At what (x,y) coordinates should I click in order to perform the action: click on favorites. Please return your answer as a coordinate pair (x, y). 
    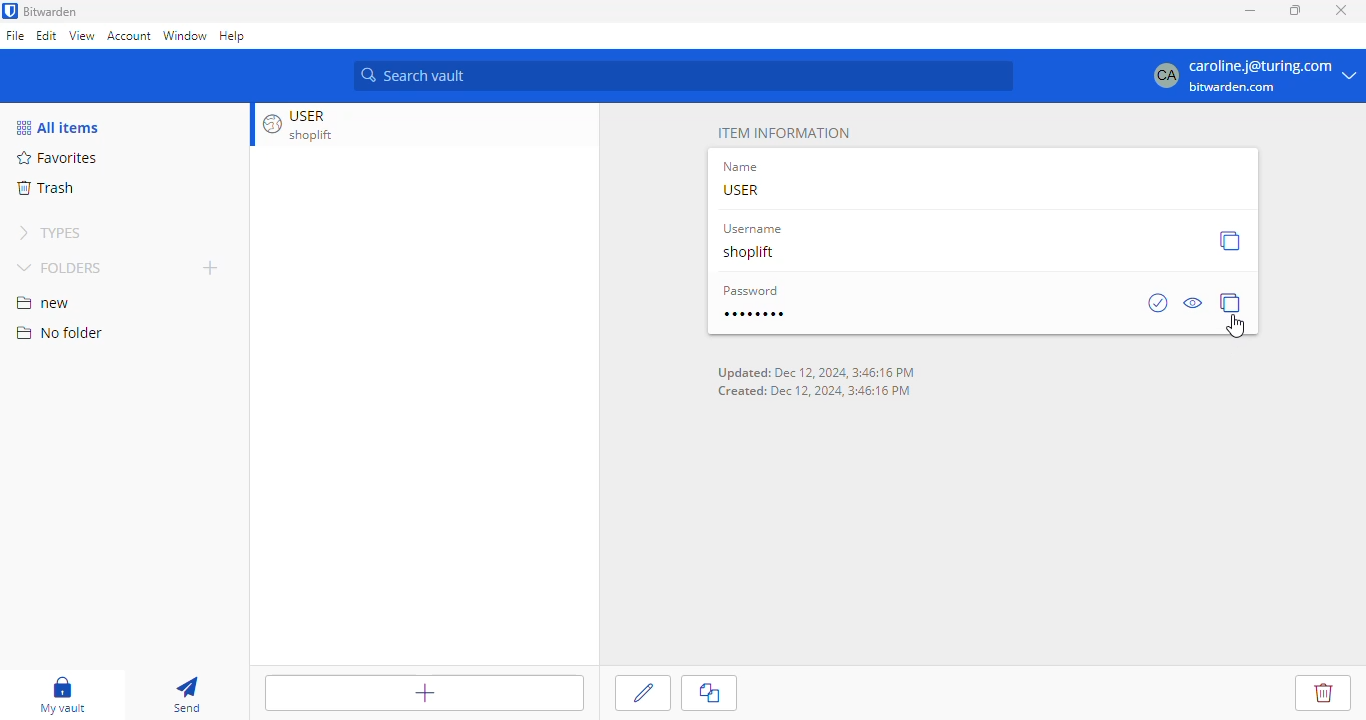
    Looking at the image, I should click on (58, 157).